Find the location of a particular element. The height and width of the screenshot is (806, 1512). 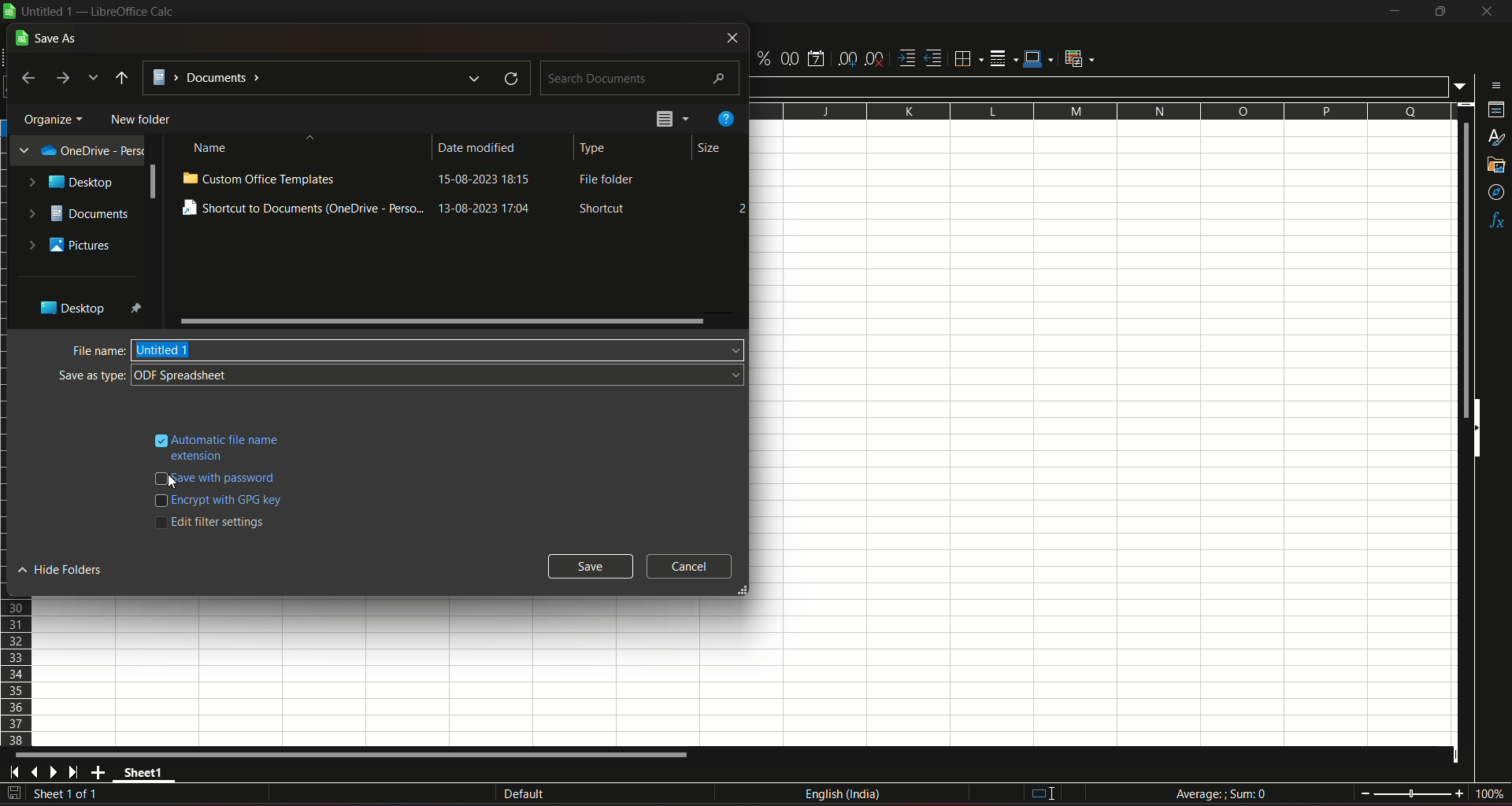

hide folders is located at coordinates (65, 571).